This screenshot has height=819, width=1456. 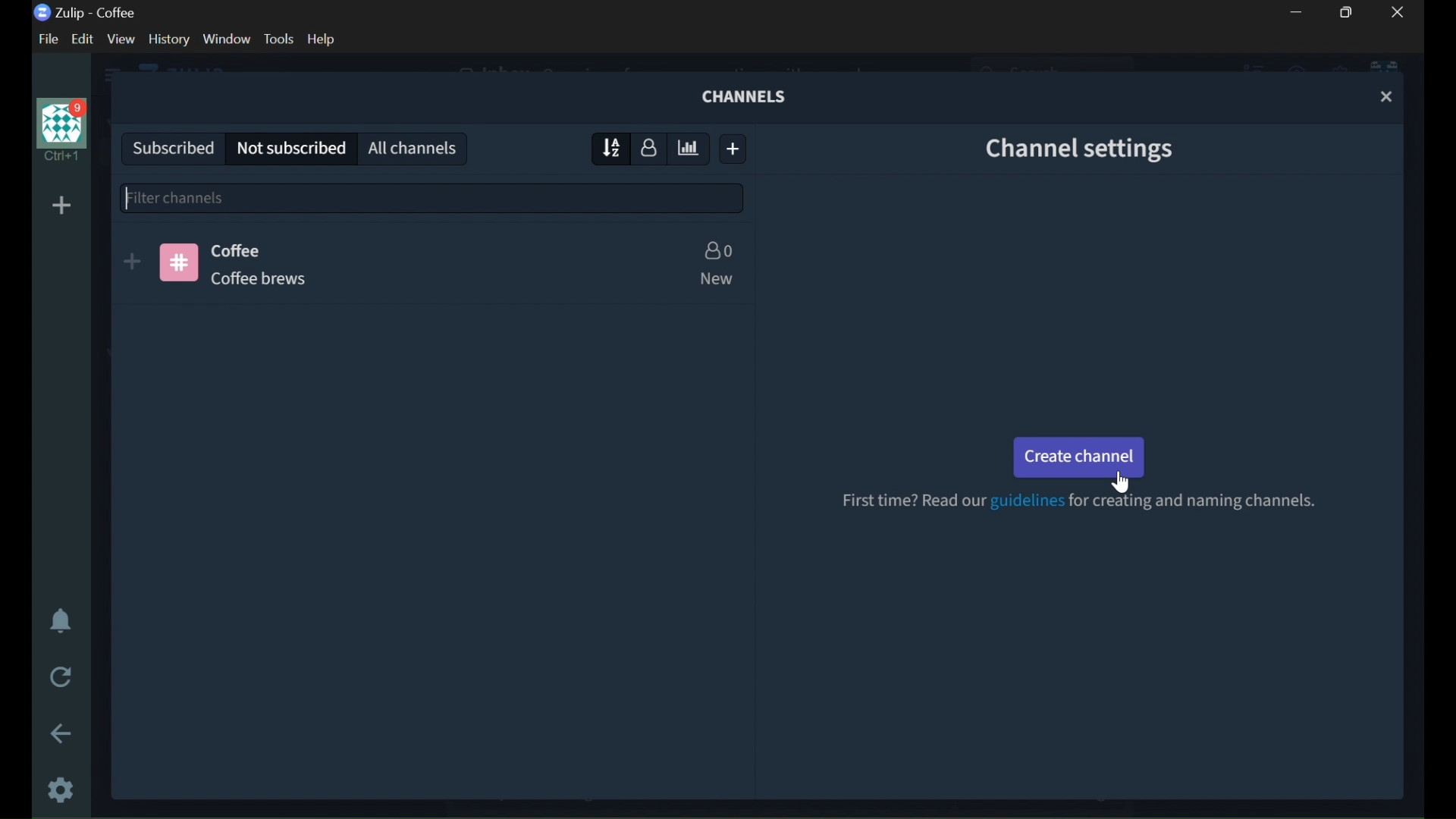 What do you see at coordinates (747, 96) in the screenshot?
I see `CHANNELS` at bounding box center [747, 96].